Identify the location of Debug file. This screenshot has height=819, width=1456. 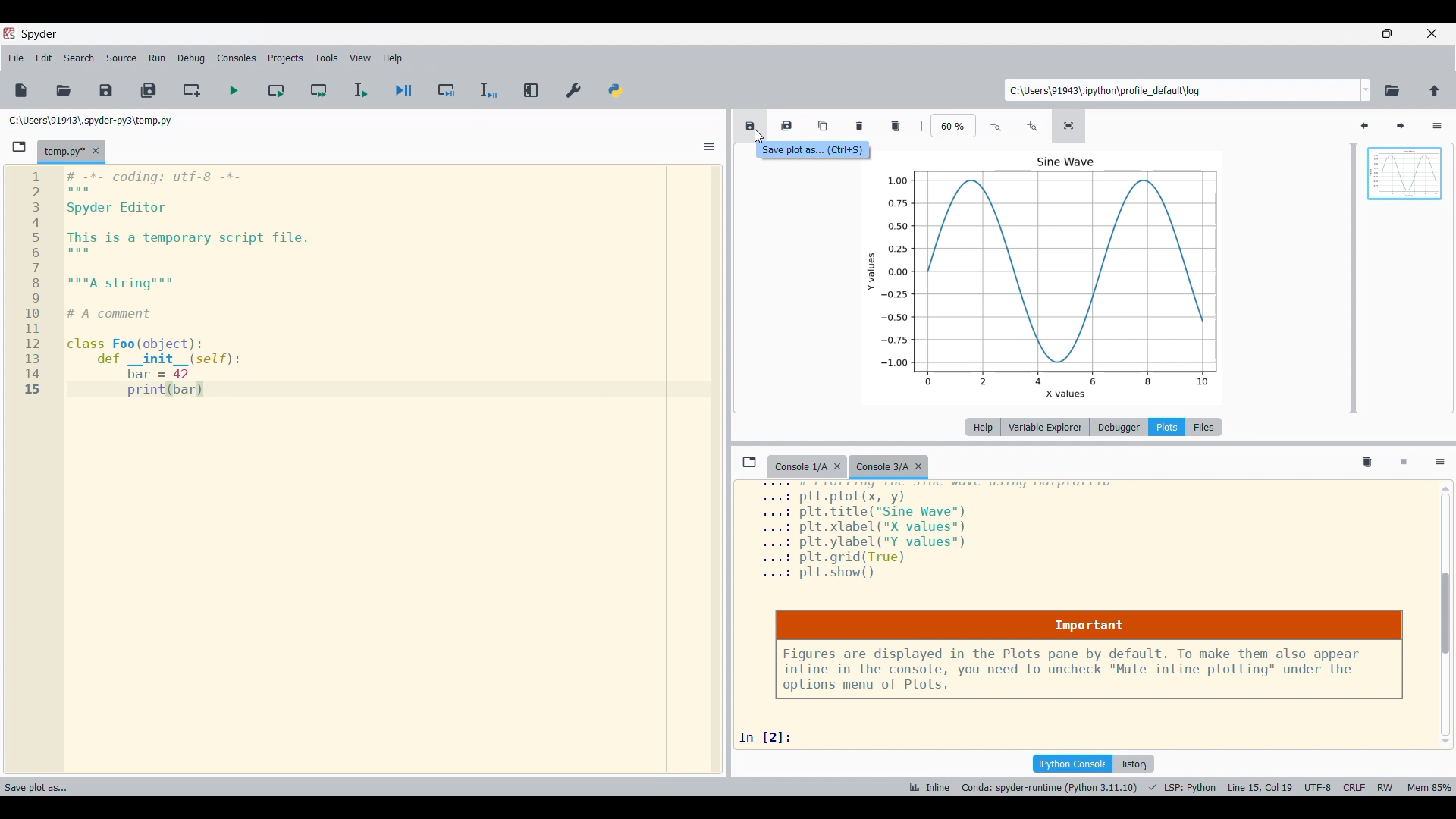
(403, 90).